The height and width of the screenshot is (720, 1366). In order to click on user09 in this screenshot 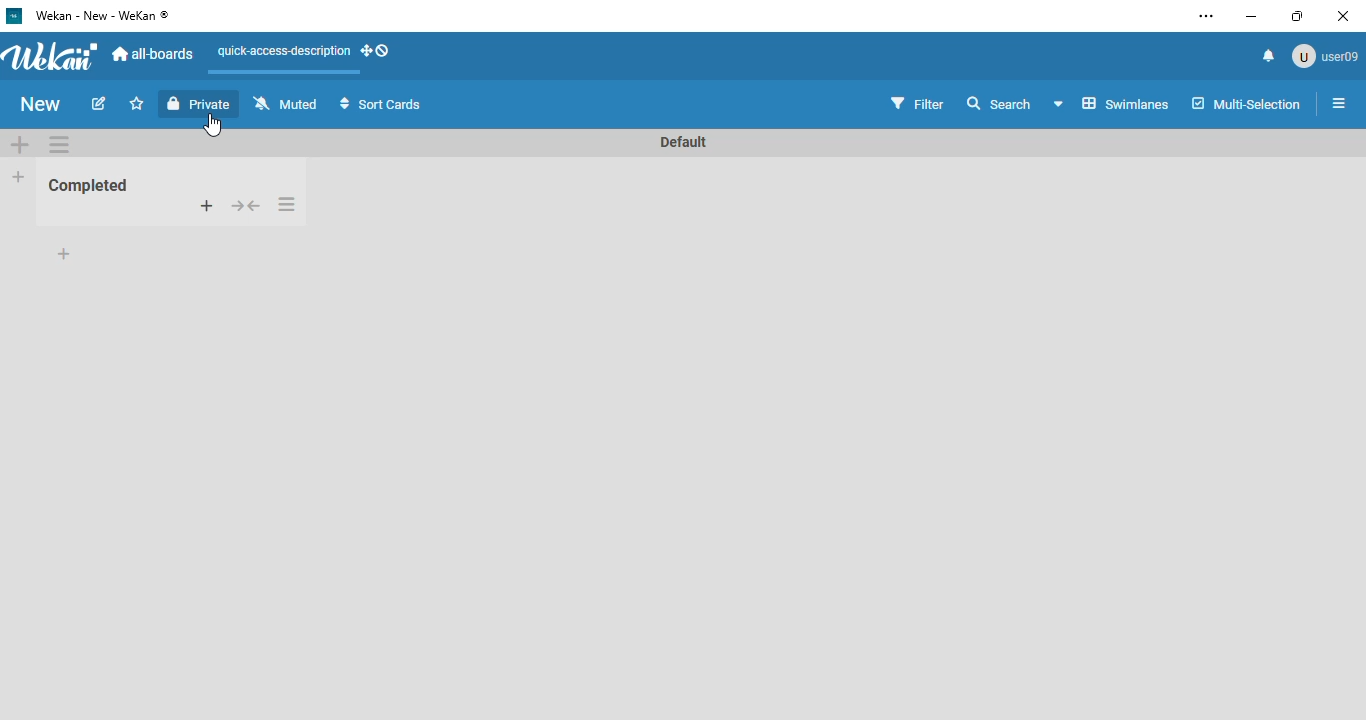, I will do `click(1324, 57)`.